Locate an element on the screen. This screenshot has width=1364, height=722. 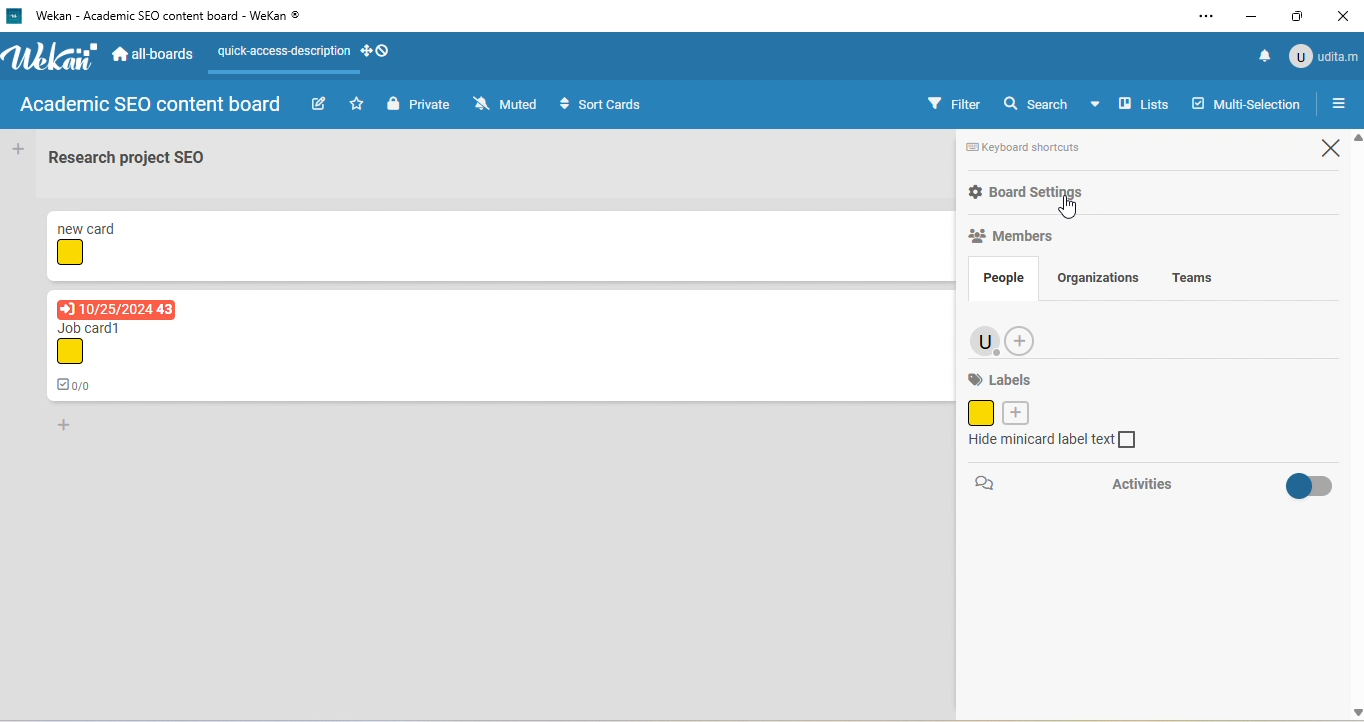
Research project SEO is located at coordinates (129, 157).